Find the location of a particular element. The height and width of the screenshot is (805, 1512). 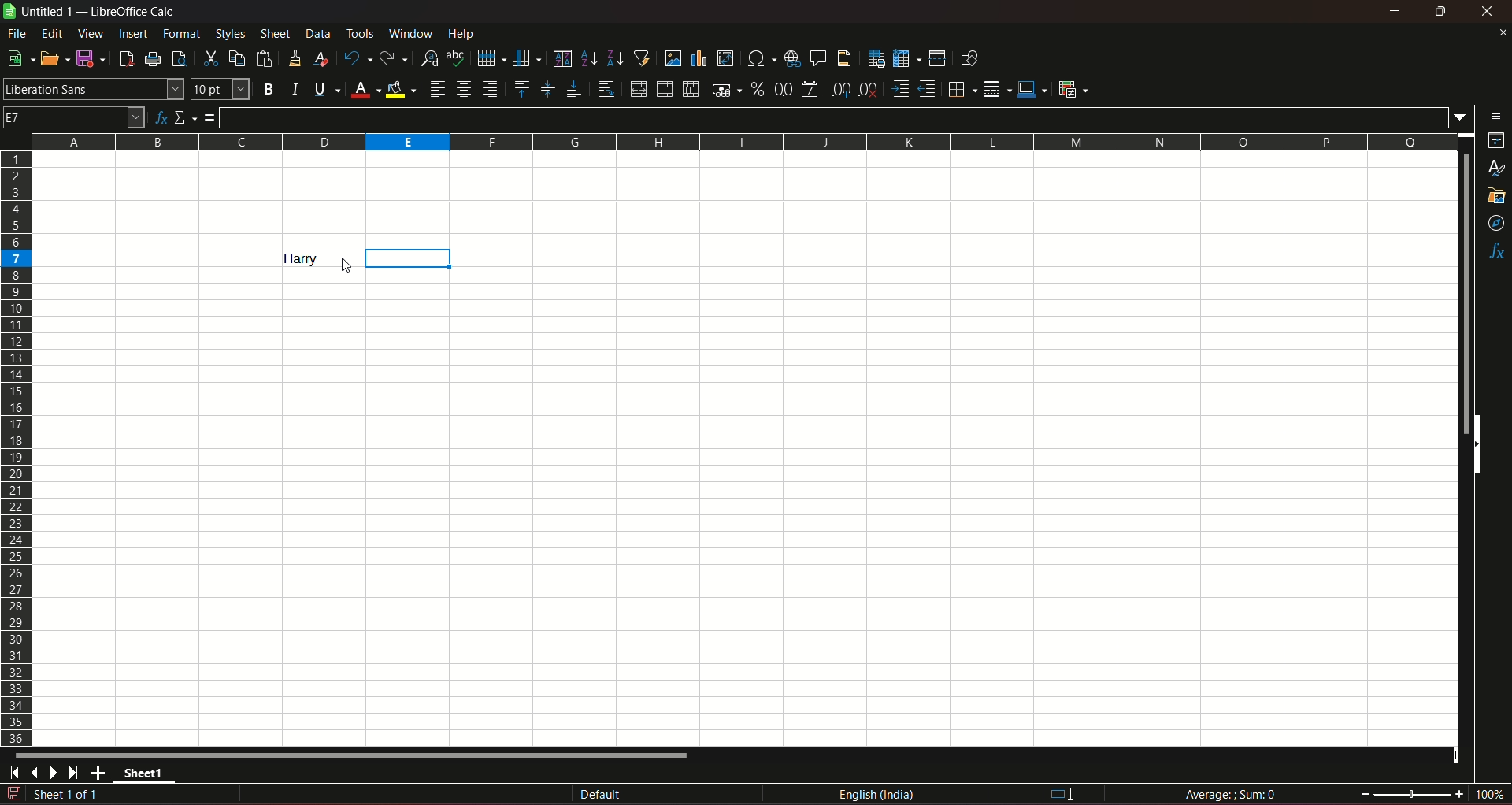

scroll to previous is located at coordinates (36, 774).